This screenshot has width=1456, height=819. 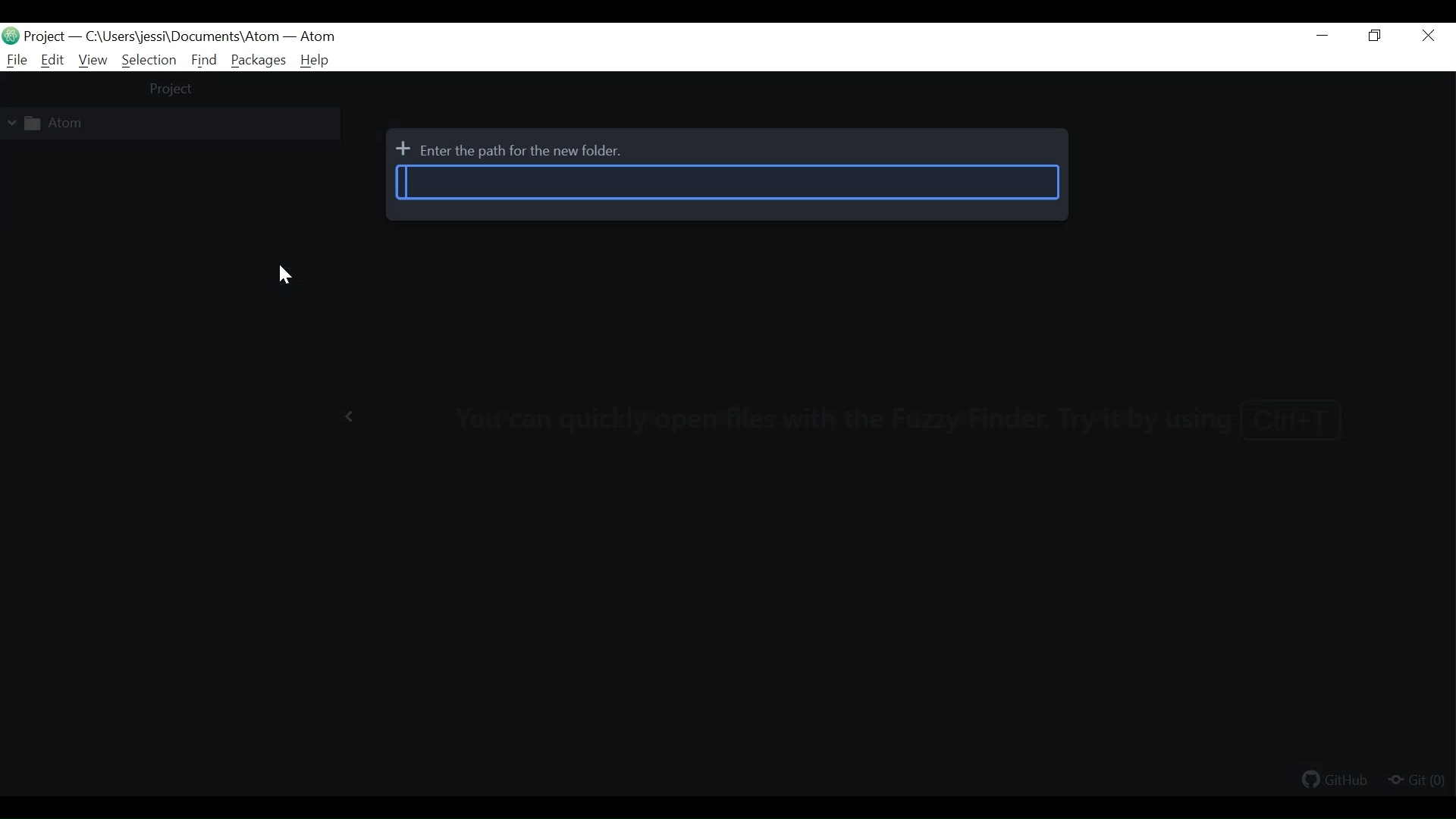 What do you see at coordinates (46, 36) in the screenshot?
I see `Projects` at bounding box center [46, 36].